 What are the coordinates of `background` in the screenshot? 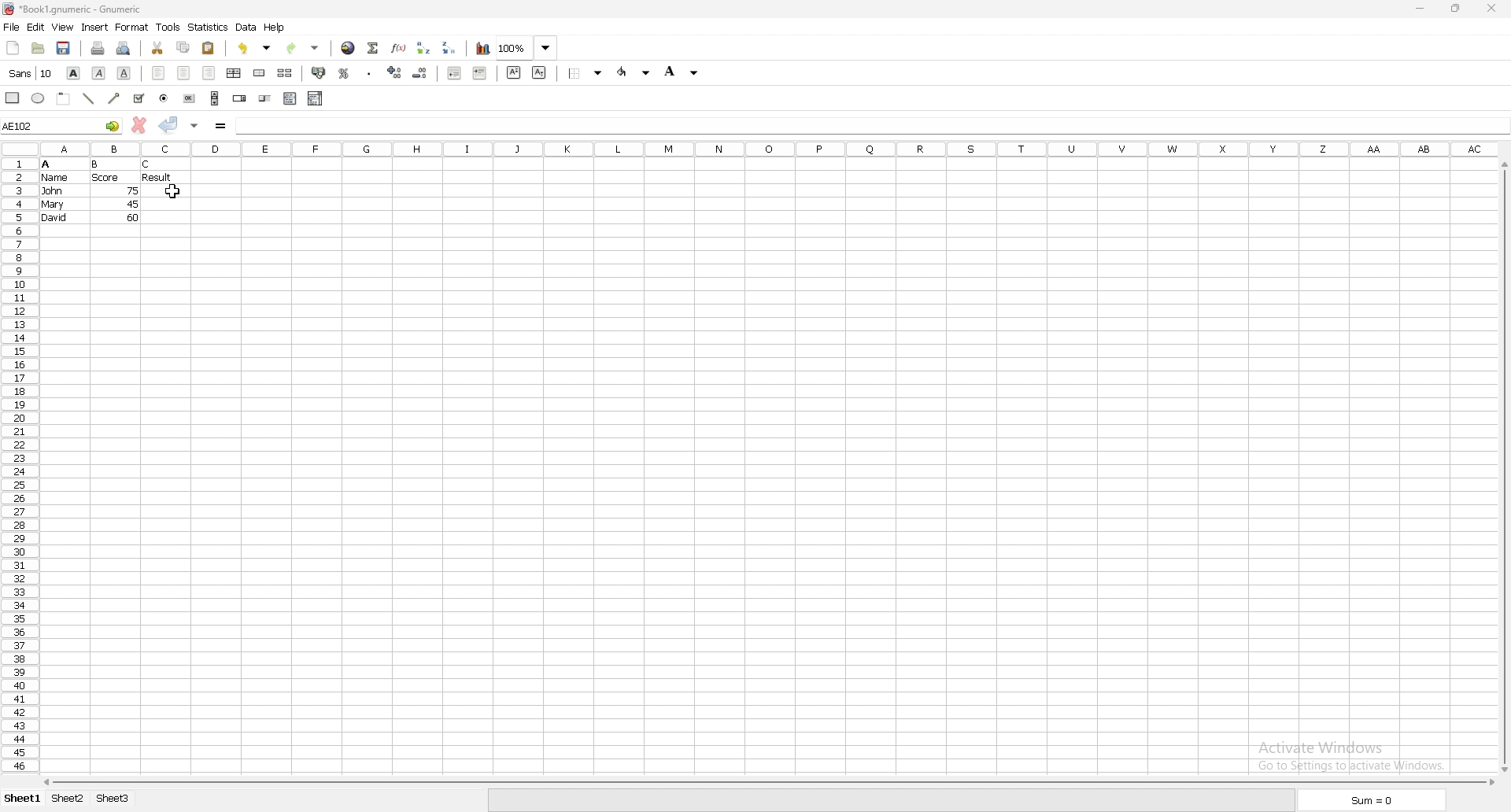 It's located at (685, 72).